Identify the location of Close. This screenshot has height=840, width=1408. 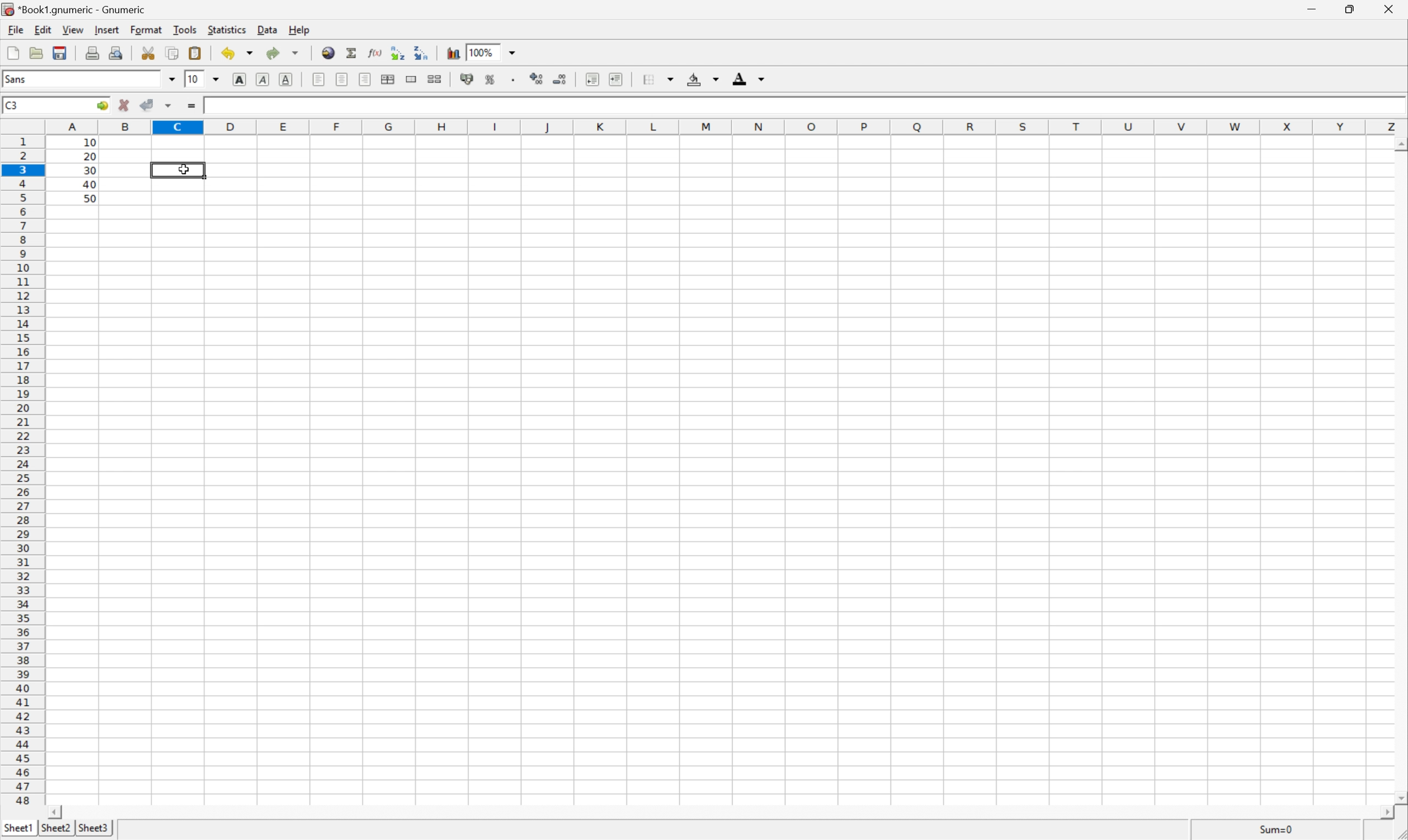
(1388, 8).